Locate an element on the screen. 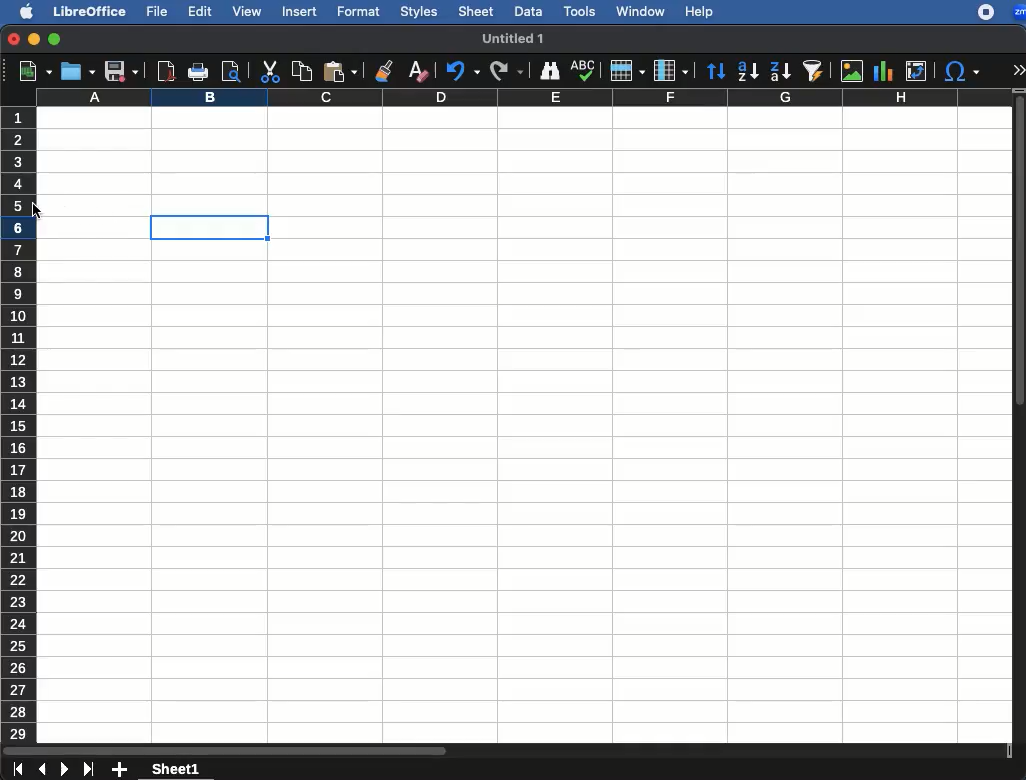 The image size is (1026, 780). spell check is located at coordinates (582, 68).